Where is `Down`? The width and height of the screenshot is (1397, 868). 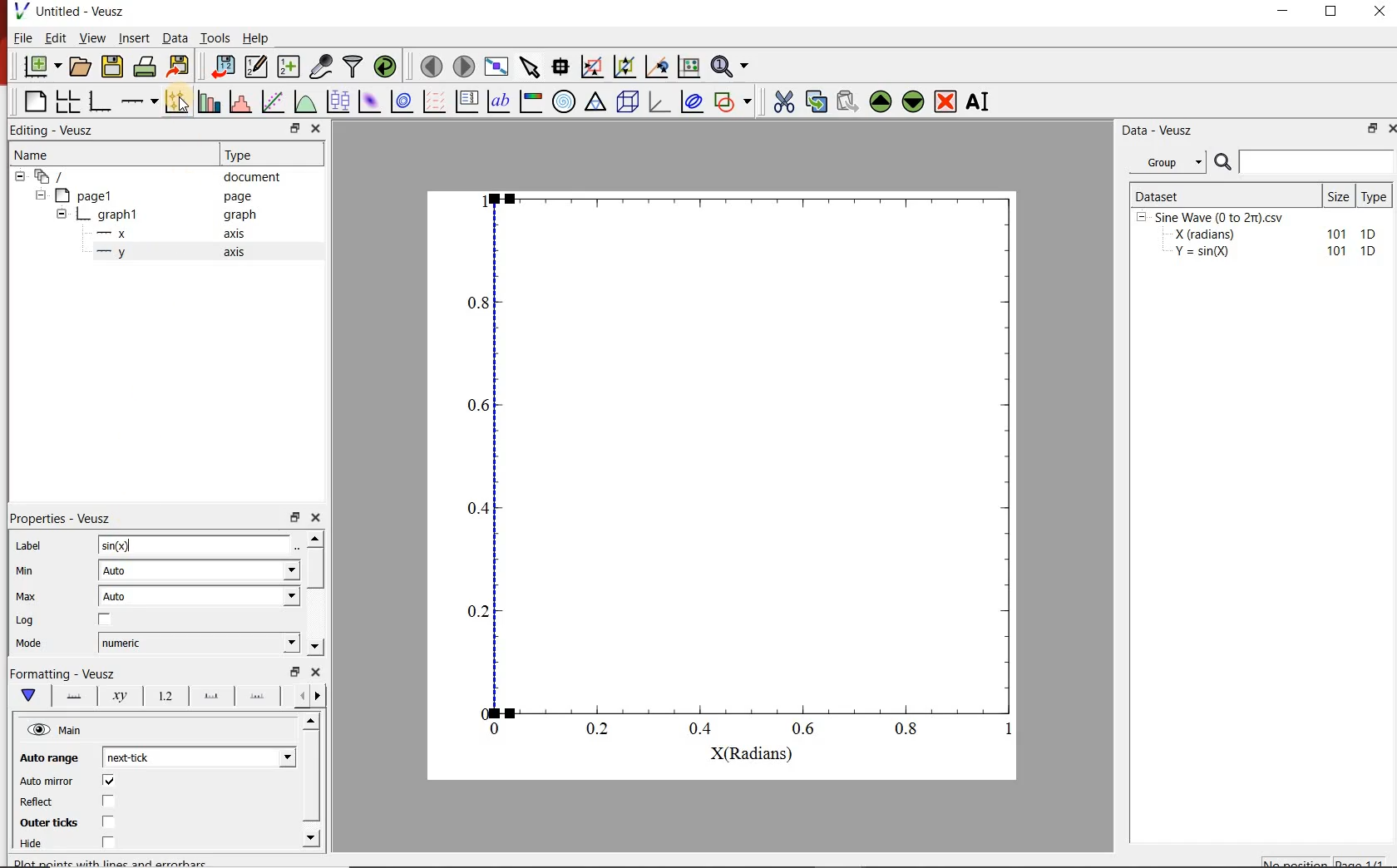
Down is located at coordinates (313, 837).